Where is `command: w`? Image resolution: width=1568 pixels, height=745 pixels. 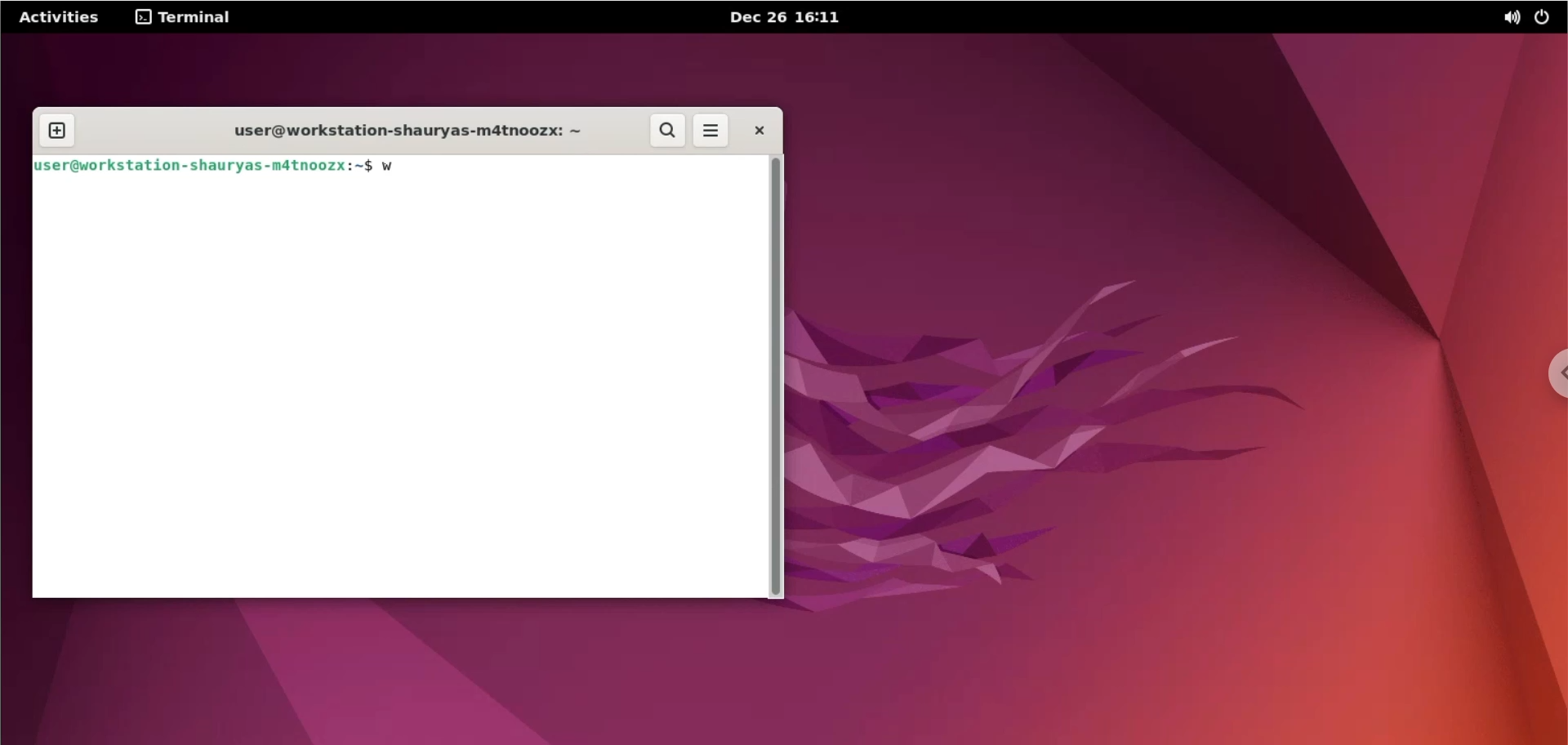 command: w is located at coordinates (393, 167).